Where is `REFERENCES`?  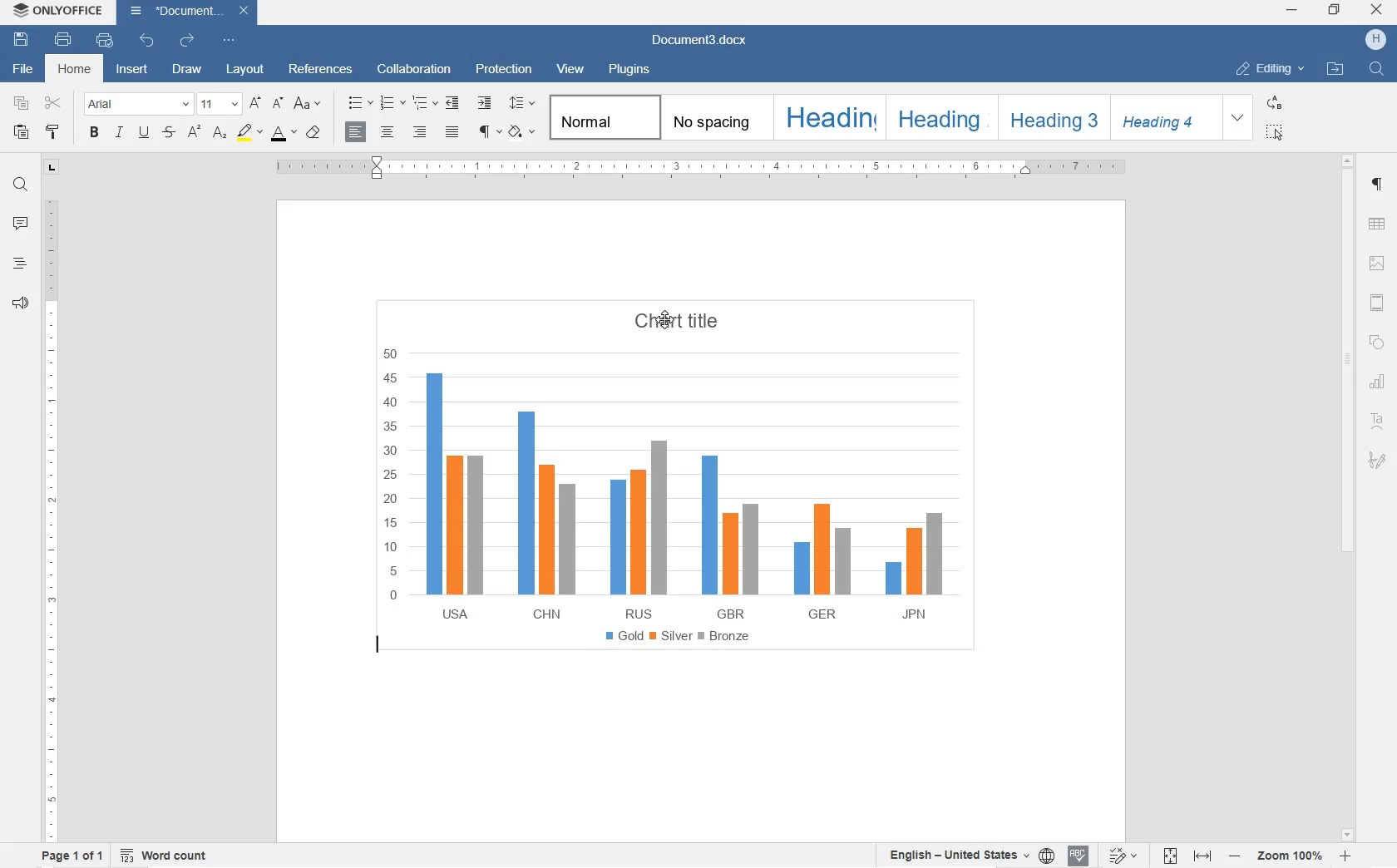
REFERENCES is located at coordinates (321, 67).